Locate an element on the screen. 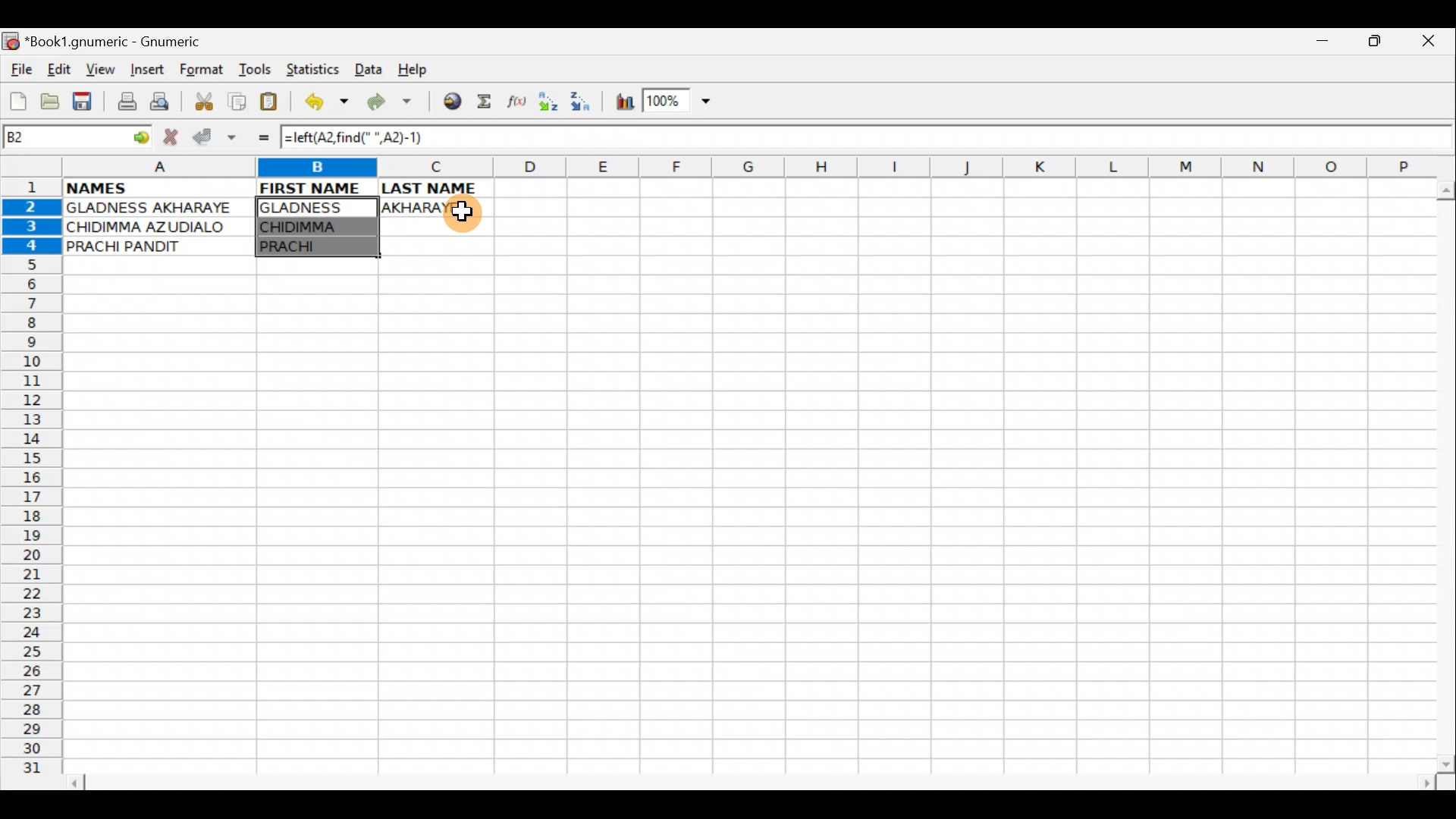 This screenshot has width=1456, height=819. FIRST NAME is located at coordinates (312, 187).